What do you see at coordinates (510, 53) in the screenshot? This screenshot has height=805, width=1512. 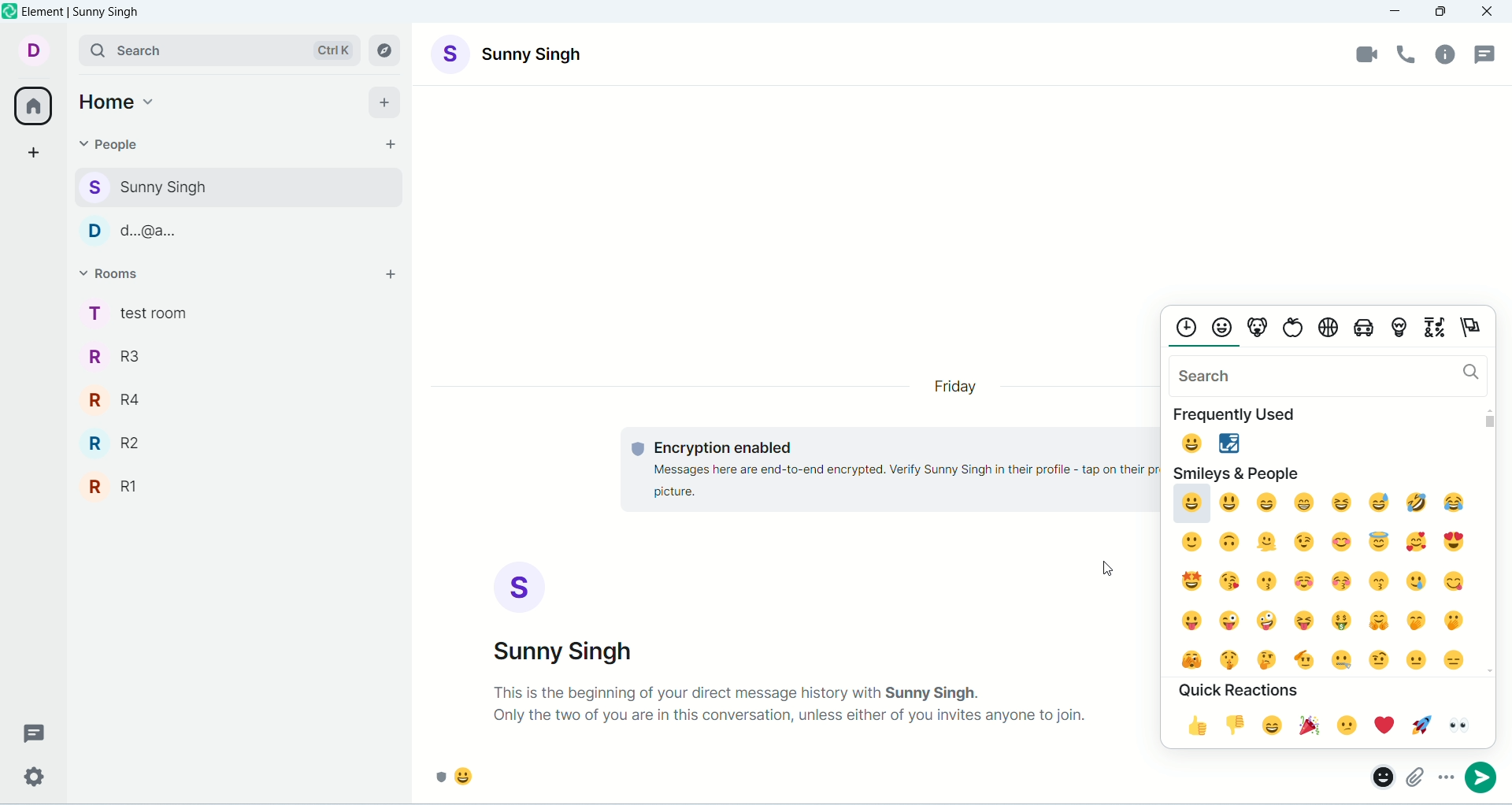 I see `account` at bounding box center [510, 53].